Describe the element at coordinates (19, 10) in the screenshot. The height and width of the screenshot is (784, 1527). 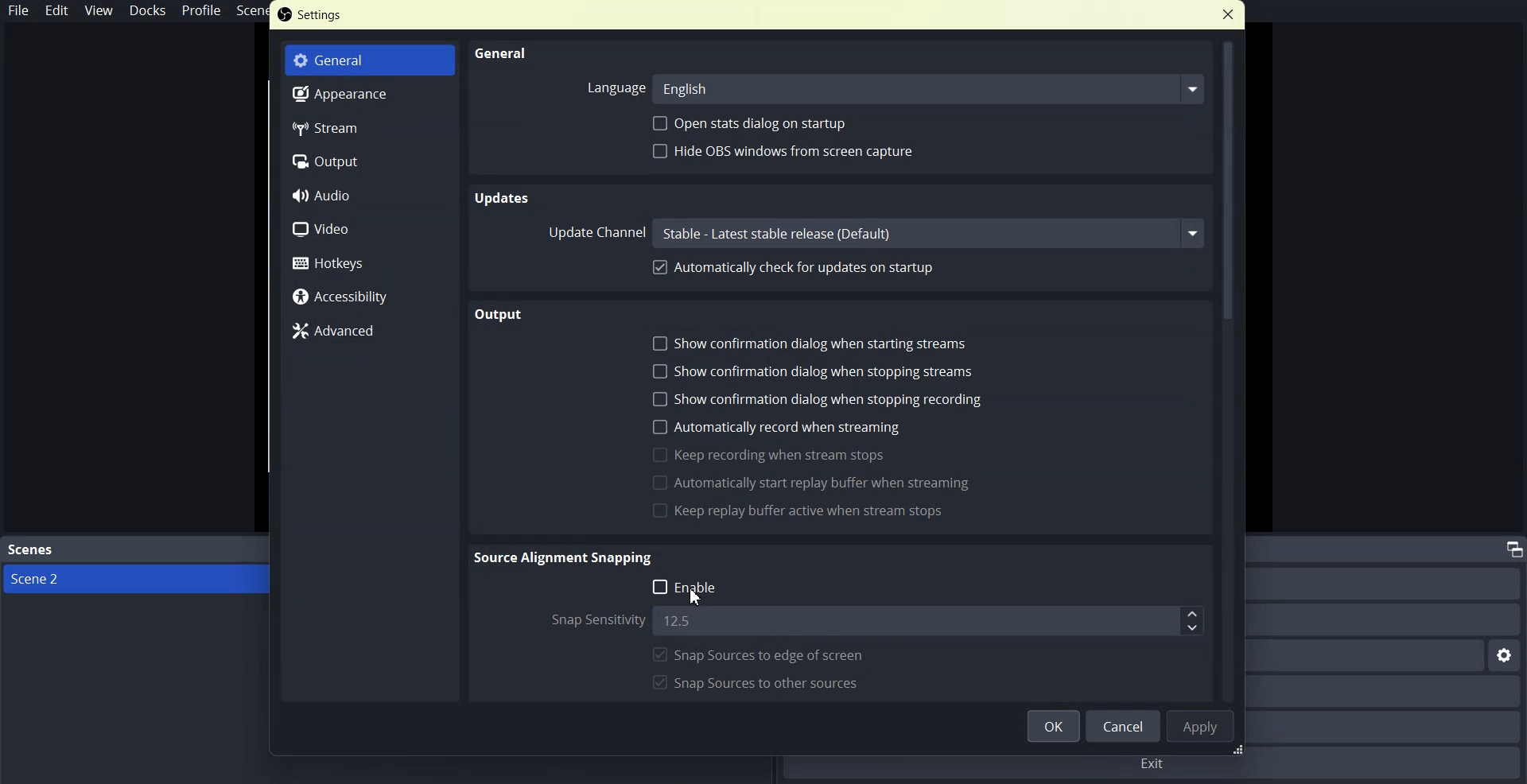
I see `File` at that location.